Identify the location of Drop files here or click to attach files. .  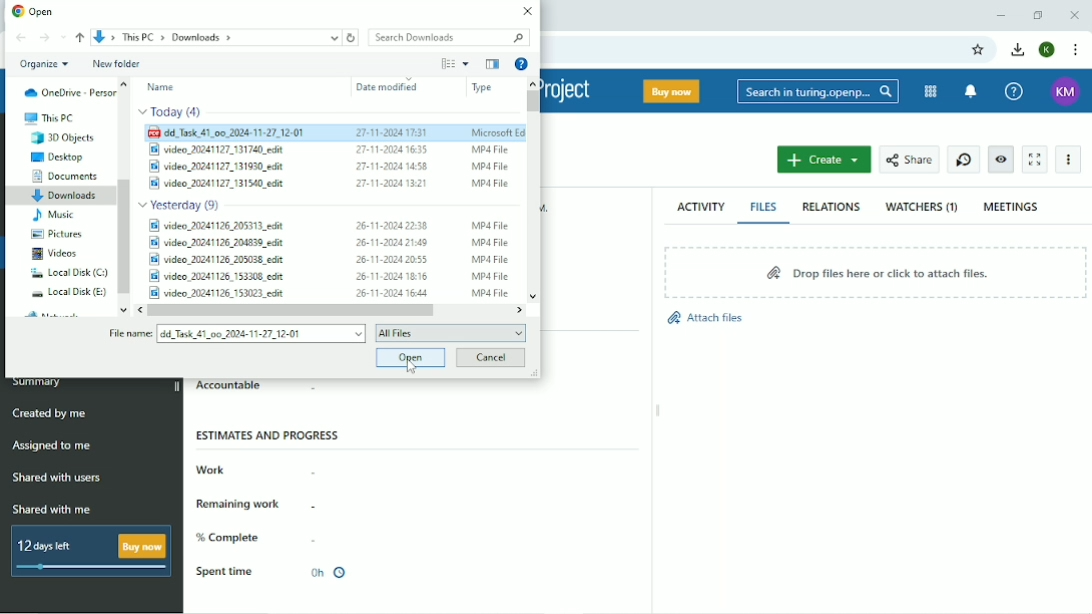
(875, 272).